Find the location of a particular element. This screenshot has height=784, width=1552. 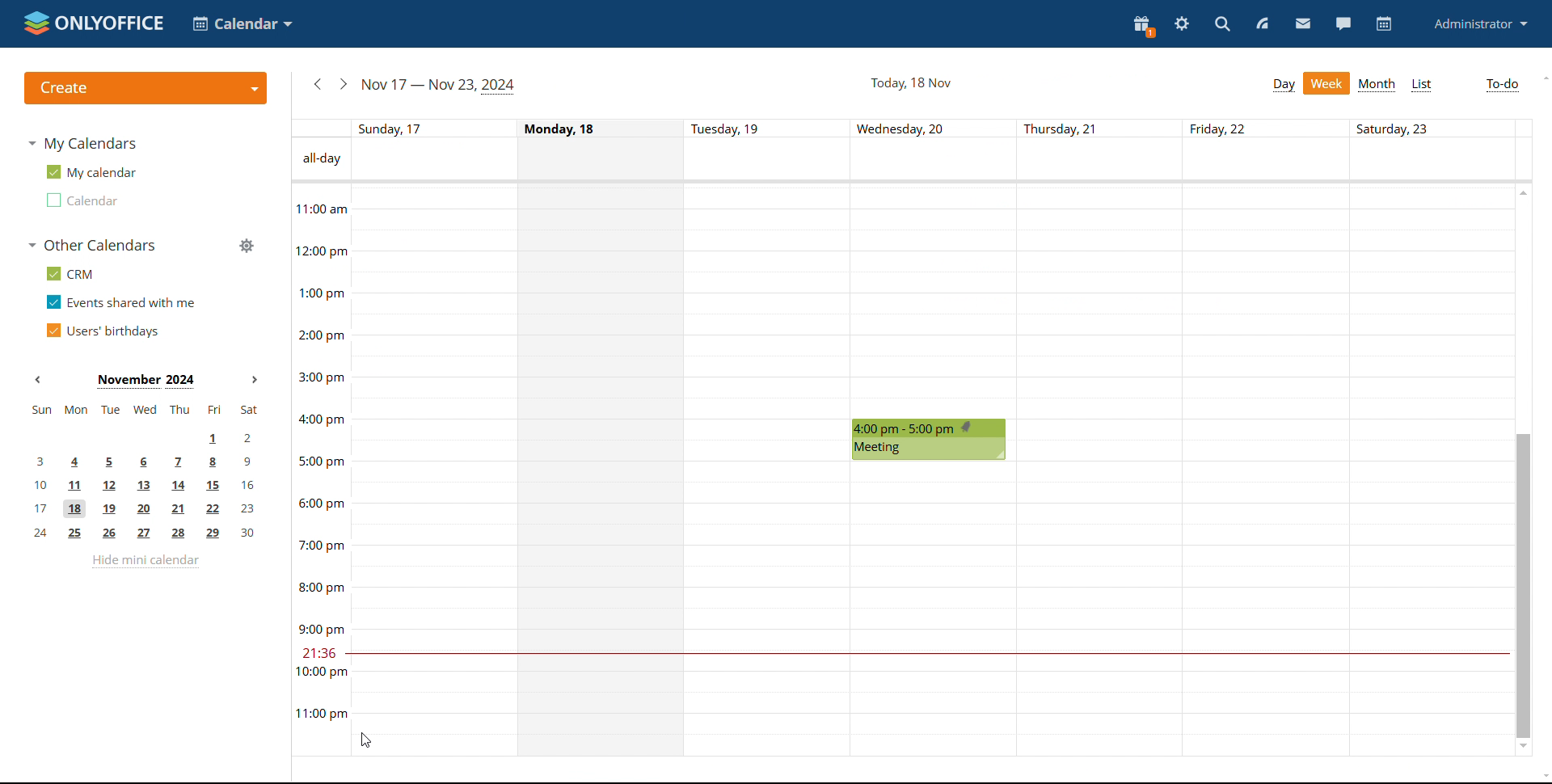

cursor is located at coordinates (364, 740).